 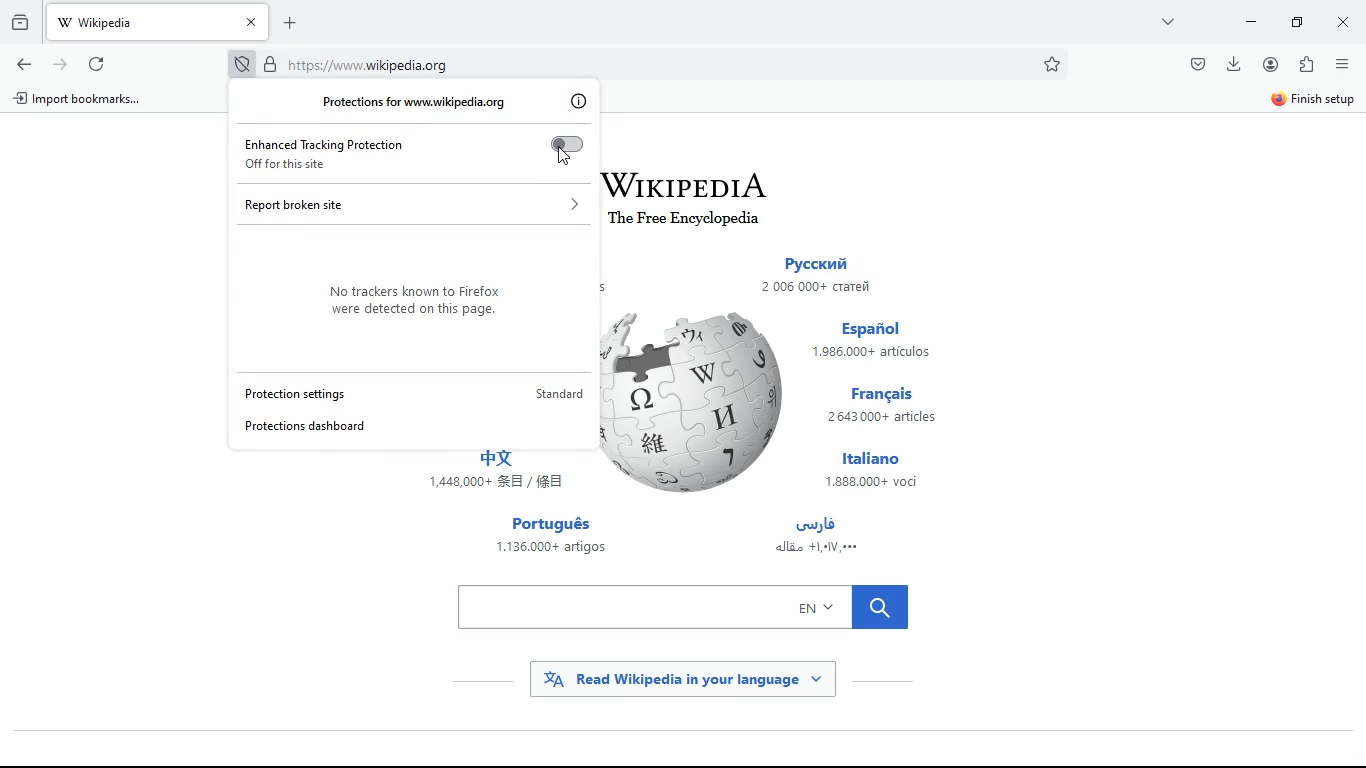 What do you see at coordinates (315, 429) in the screenshot?
I see `protections dashboard` at bounding box center [315, 429].